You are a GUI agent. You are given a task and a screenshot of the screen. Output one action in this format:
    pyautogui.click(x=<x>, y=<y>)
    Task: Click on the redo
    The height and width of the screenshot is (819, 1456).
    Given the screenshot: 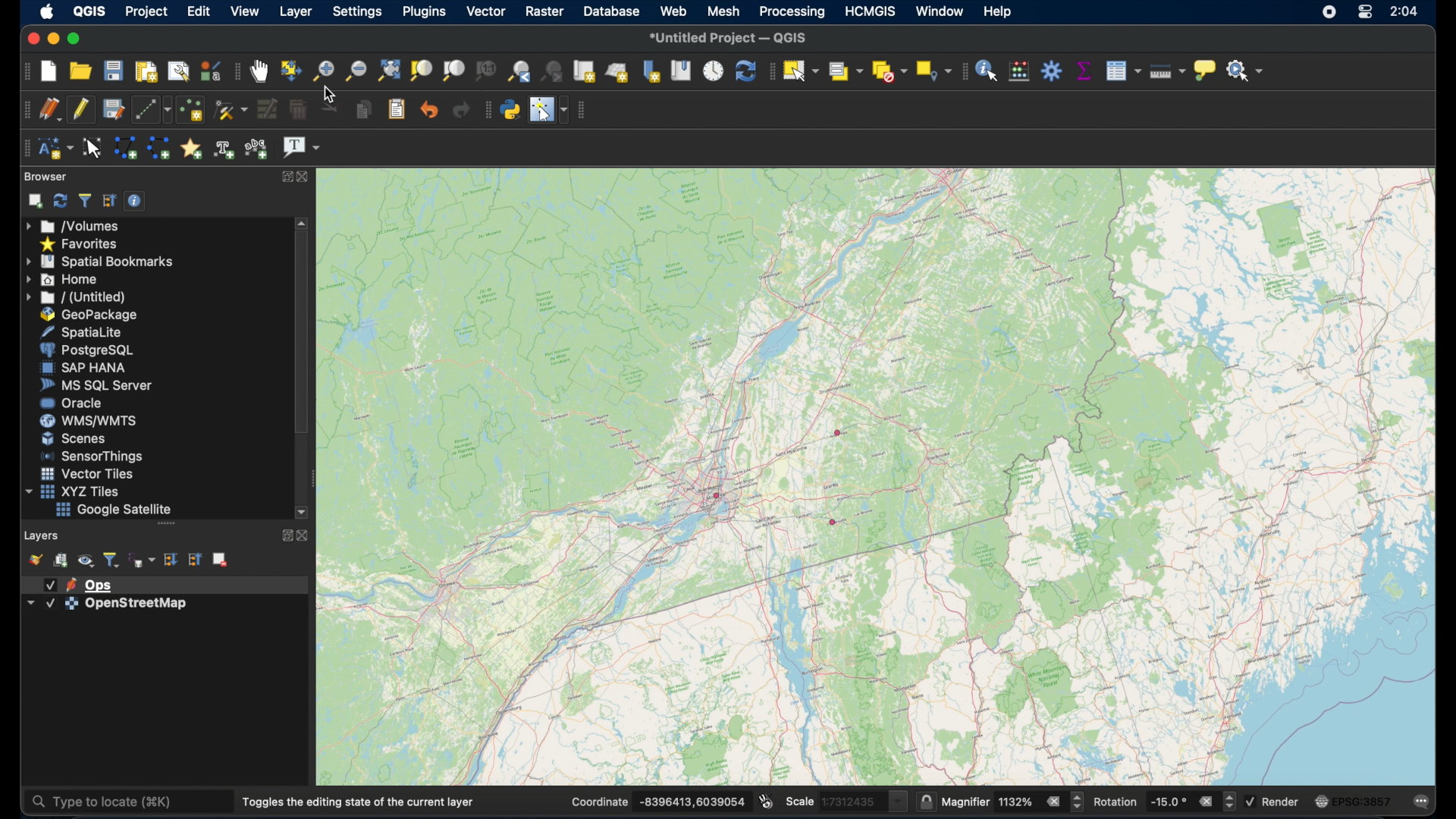 What is the action you would take?
    pyautogui.click(x=459, y=110)
    